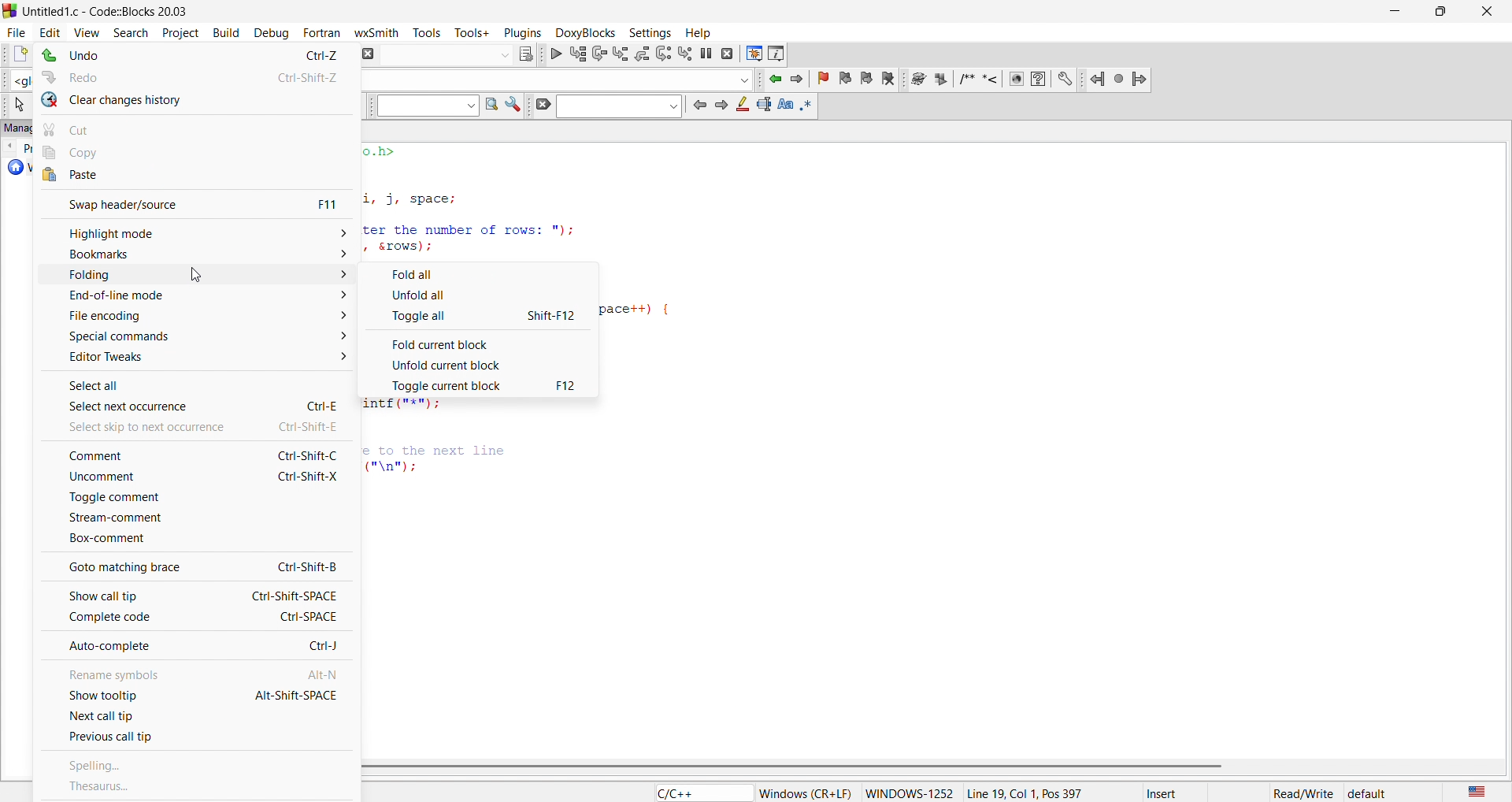  What do you see at coordinates (186, 426) in the screenshot?
I see `select skip to new occurence` at bounding box center [186, 426].